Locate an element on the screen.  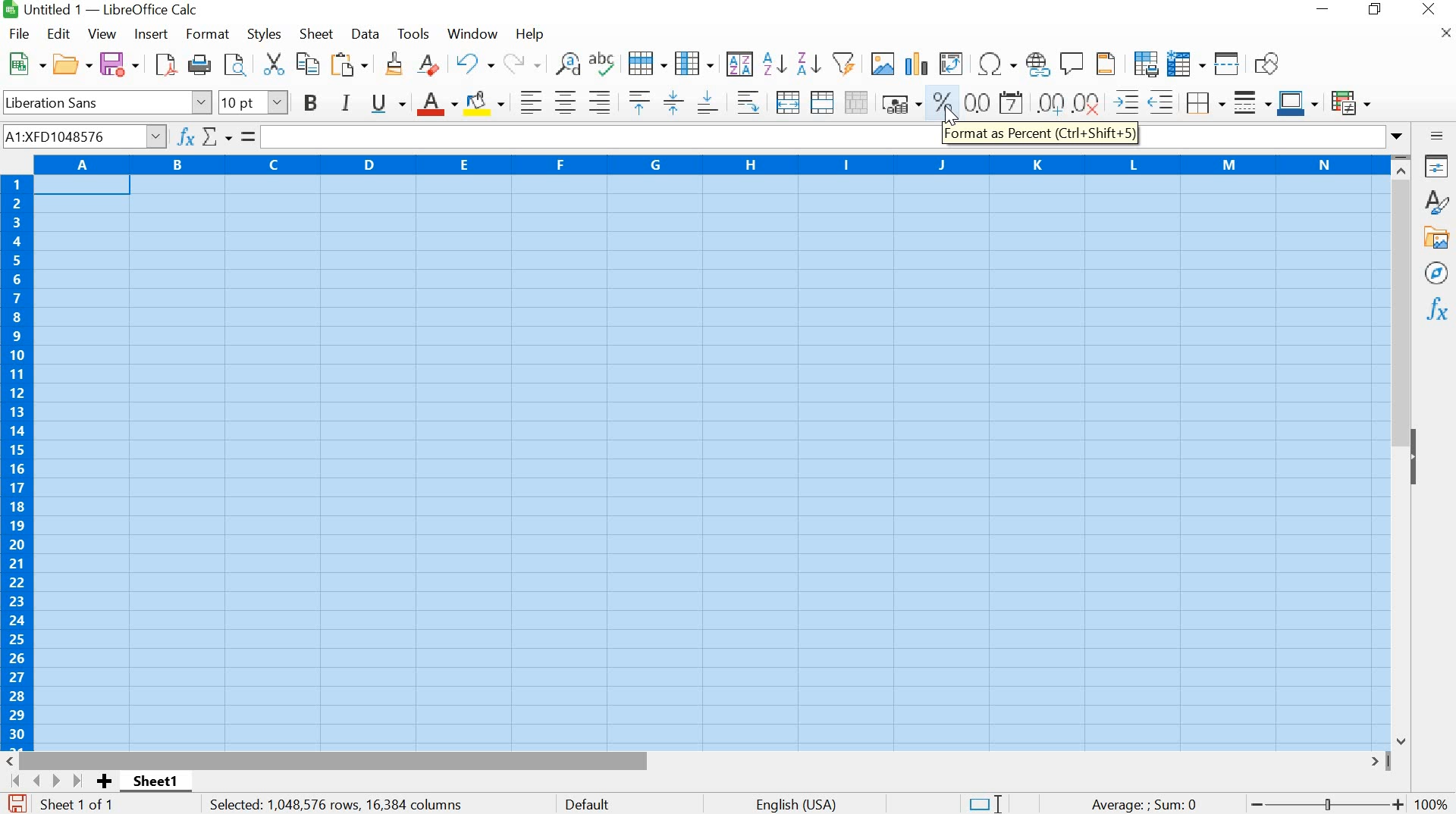
Sidebar settings is located at coordinates (1438, 136).